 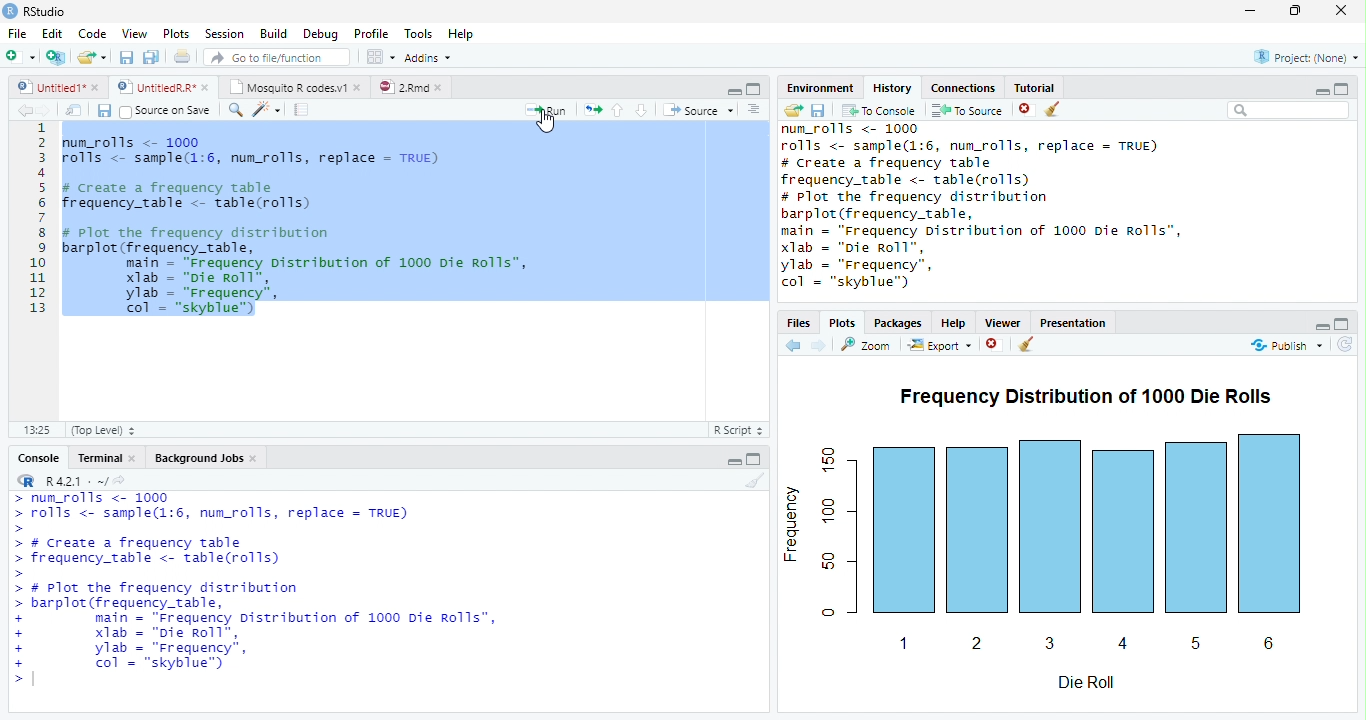 I want to click on 1, so click(x=903, y=642).